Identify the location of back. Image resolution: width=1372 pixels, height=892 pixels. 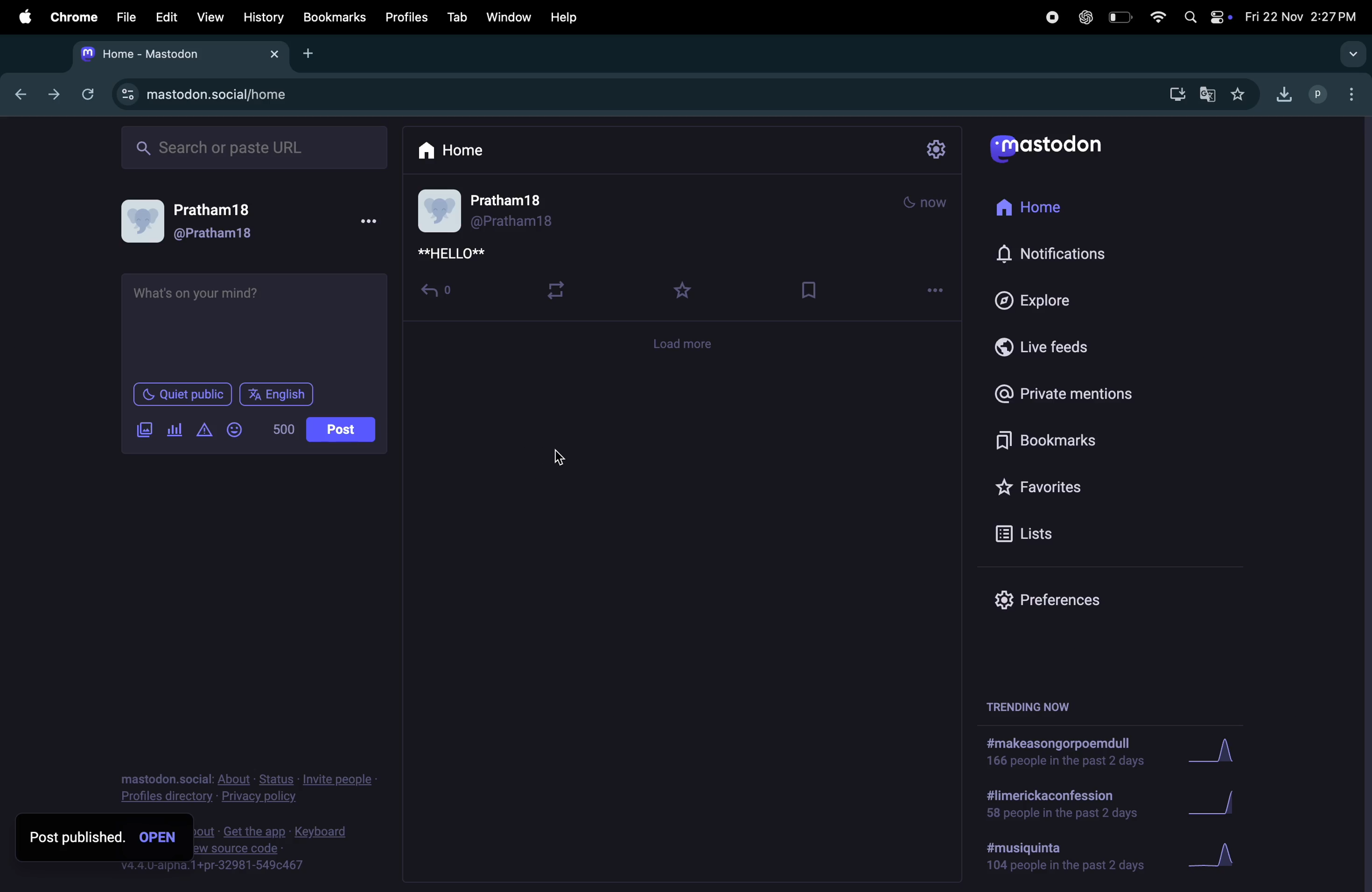
(18, 94).